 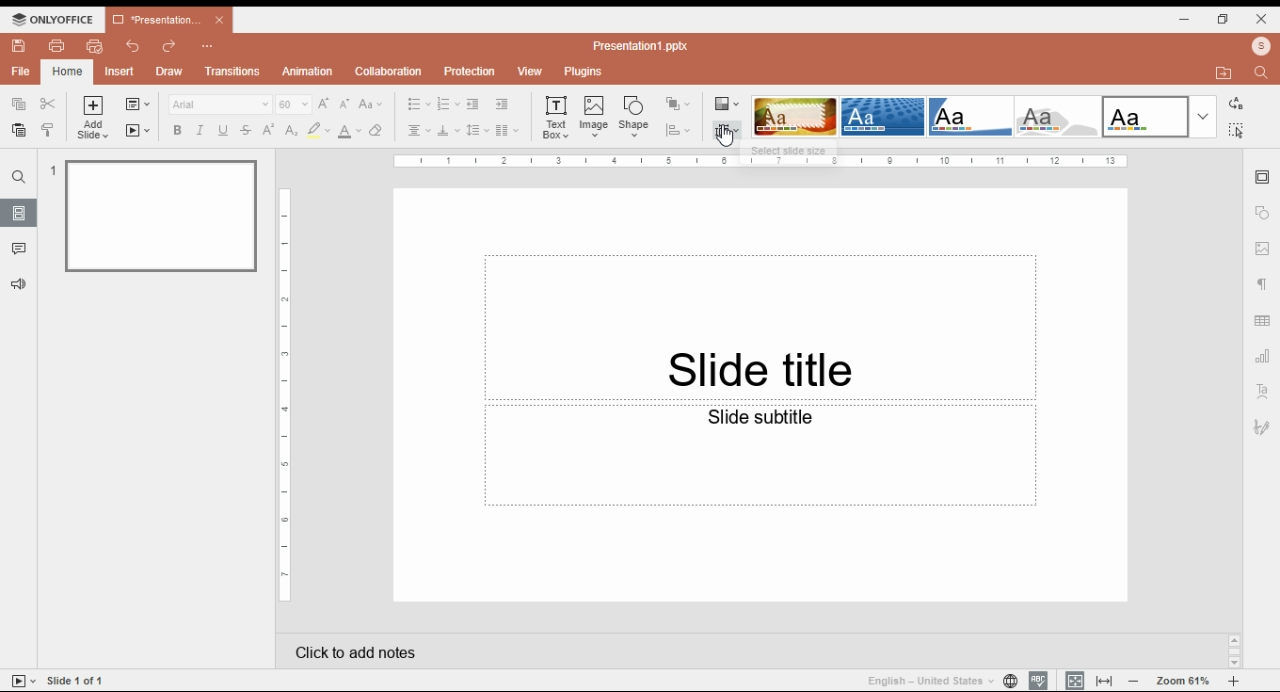 I want to click on slide them option, so click(x=883, y=116).